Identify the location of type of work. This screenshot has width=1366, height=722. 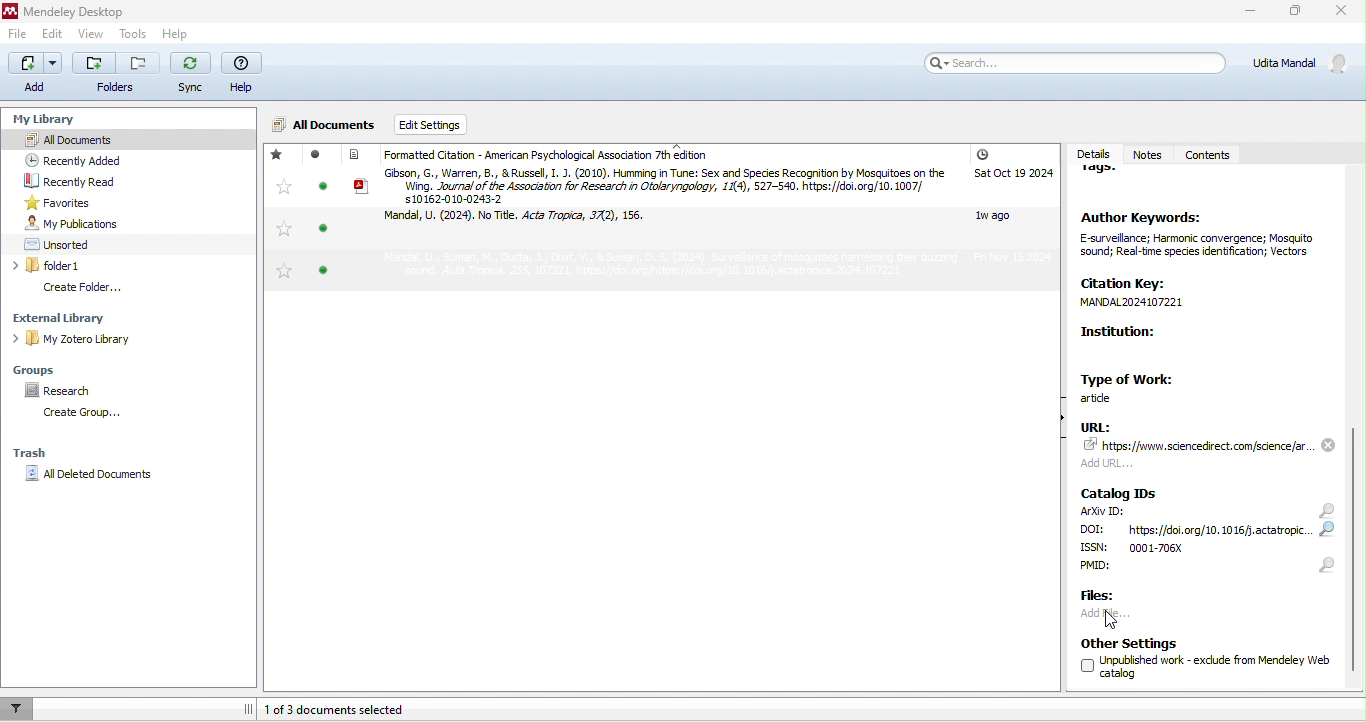
(1136, 386).